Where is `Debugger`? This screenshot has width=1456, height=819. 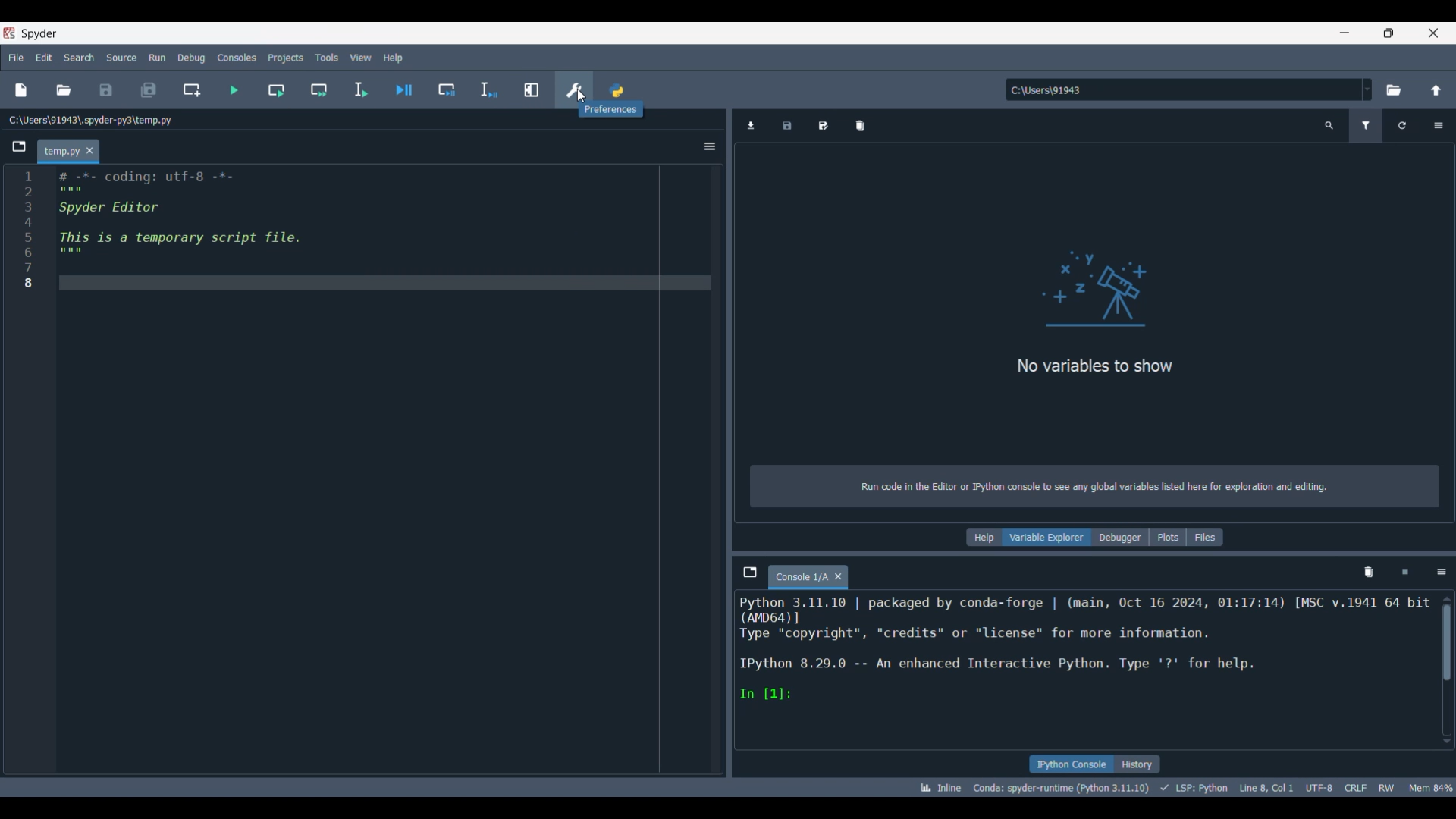 Debugger is located at coordinates (1120, 537).